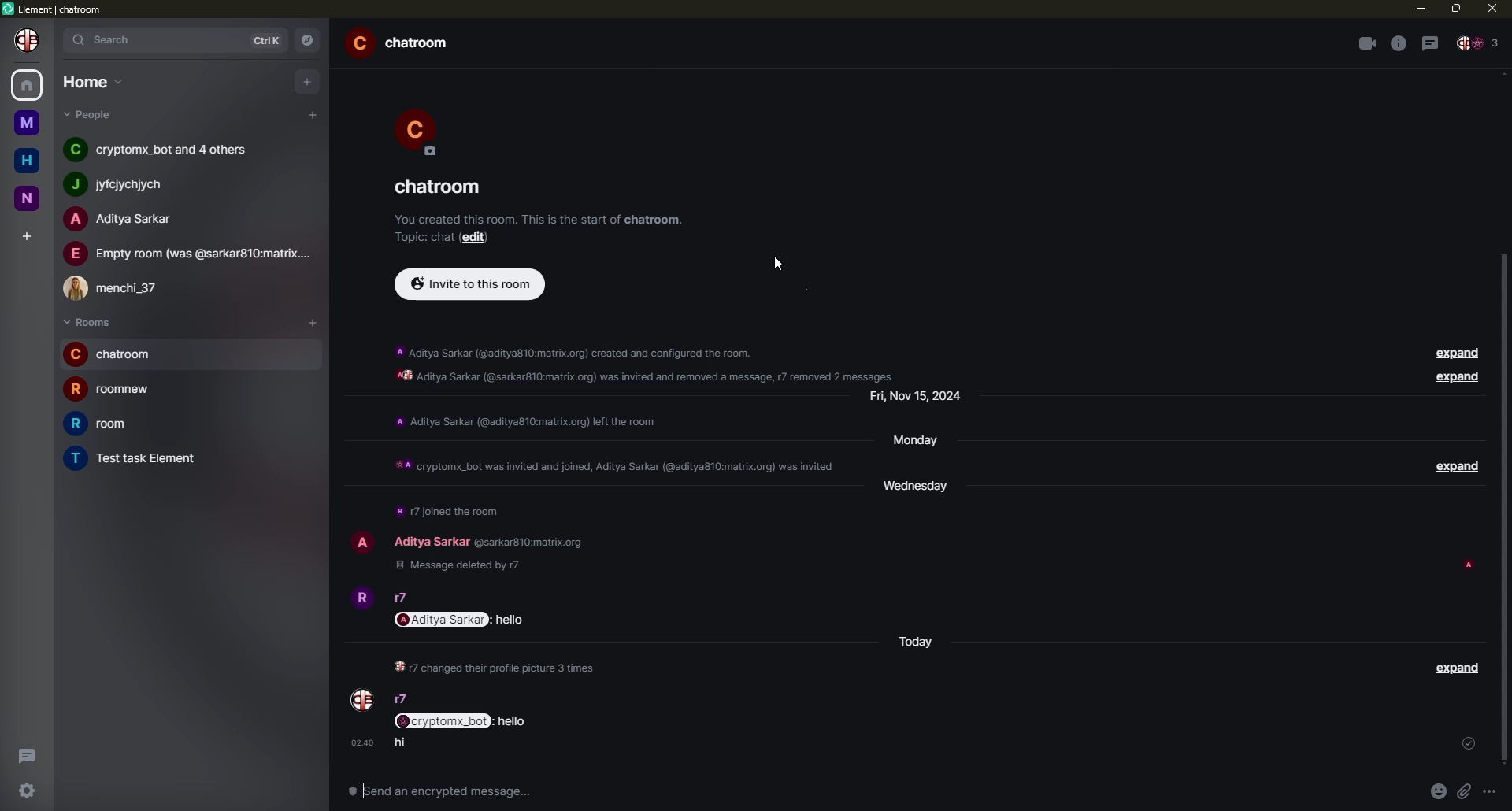 The width and height of the screenshot is (1512, 811). What do you see at coordinates (1468, 567) in the screenshot?
I see `seen` at bounding box center [1468, 567].